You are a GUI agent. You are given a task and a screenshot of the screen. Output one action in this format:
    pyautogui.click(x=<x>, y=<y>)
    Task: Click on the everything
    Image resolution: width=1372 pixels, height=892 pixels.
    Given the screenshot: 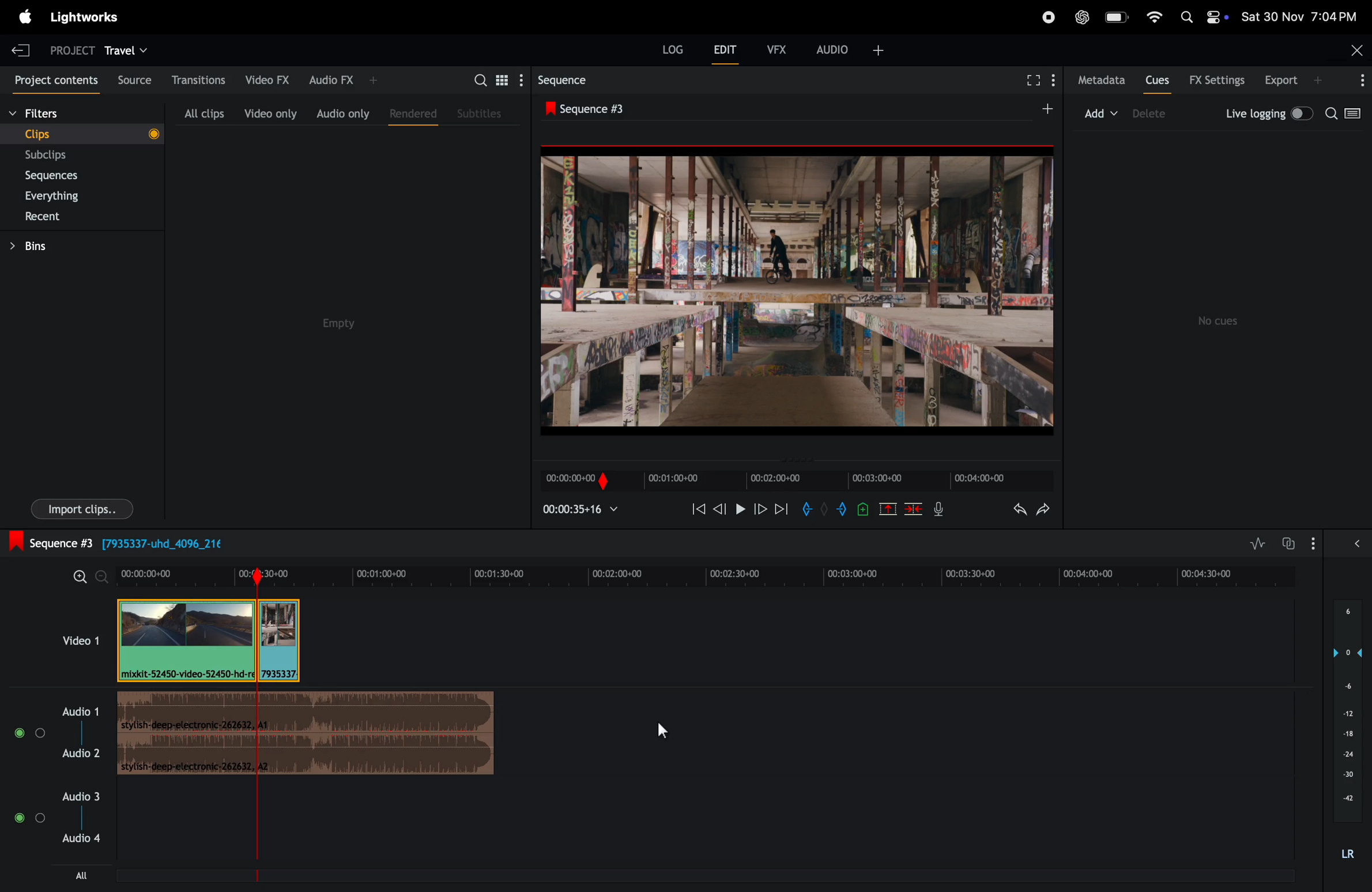 What is the action you would take?
    pyautogui.click(x=70, y=195)
    